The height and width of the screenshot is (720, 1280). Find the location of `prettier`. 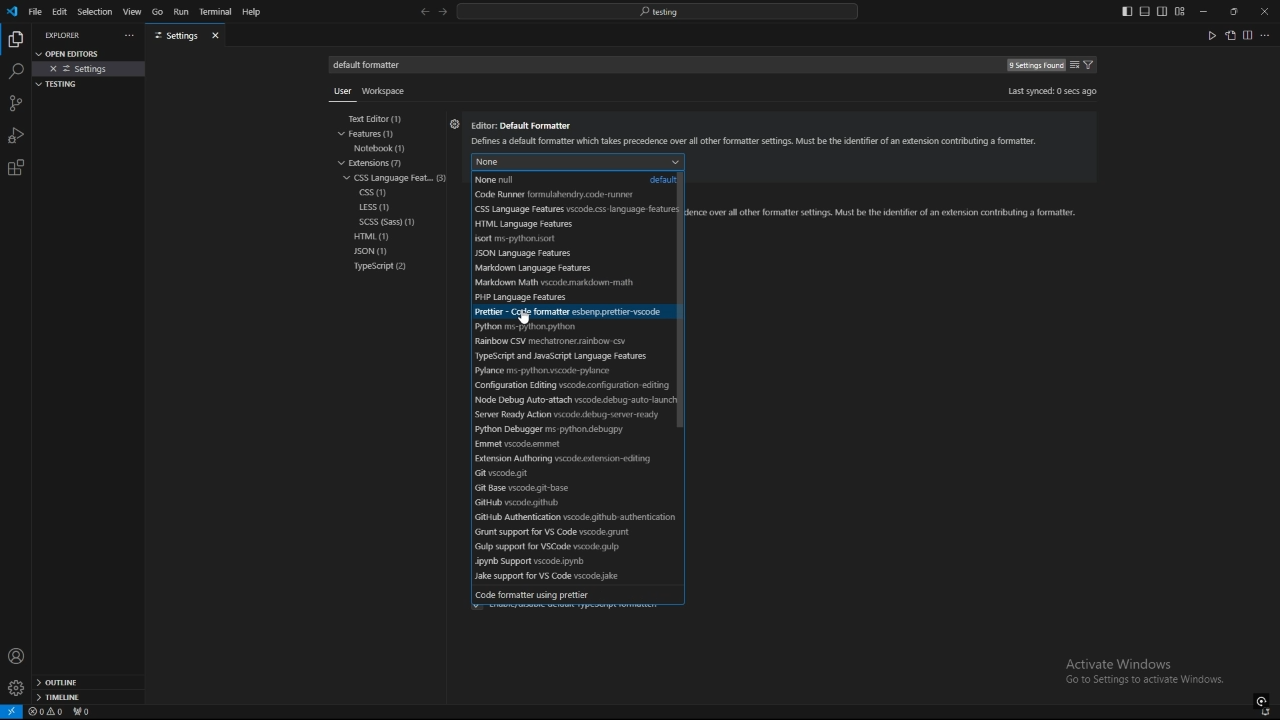

prettier is located at coordinates (564, 313).